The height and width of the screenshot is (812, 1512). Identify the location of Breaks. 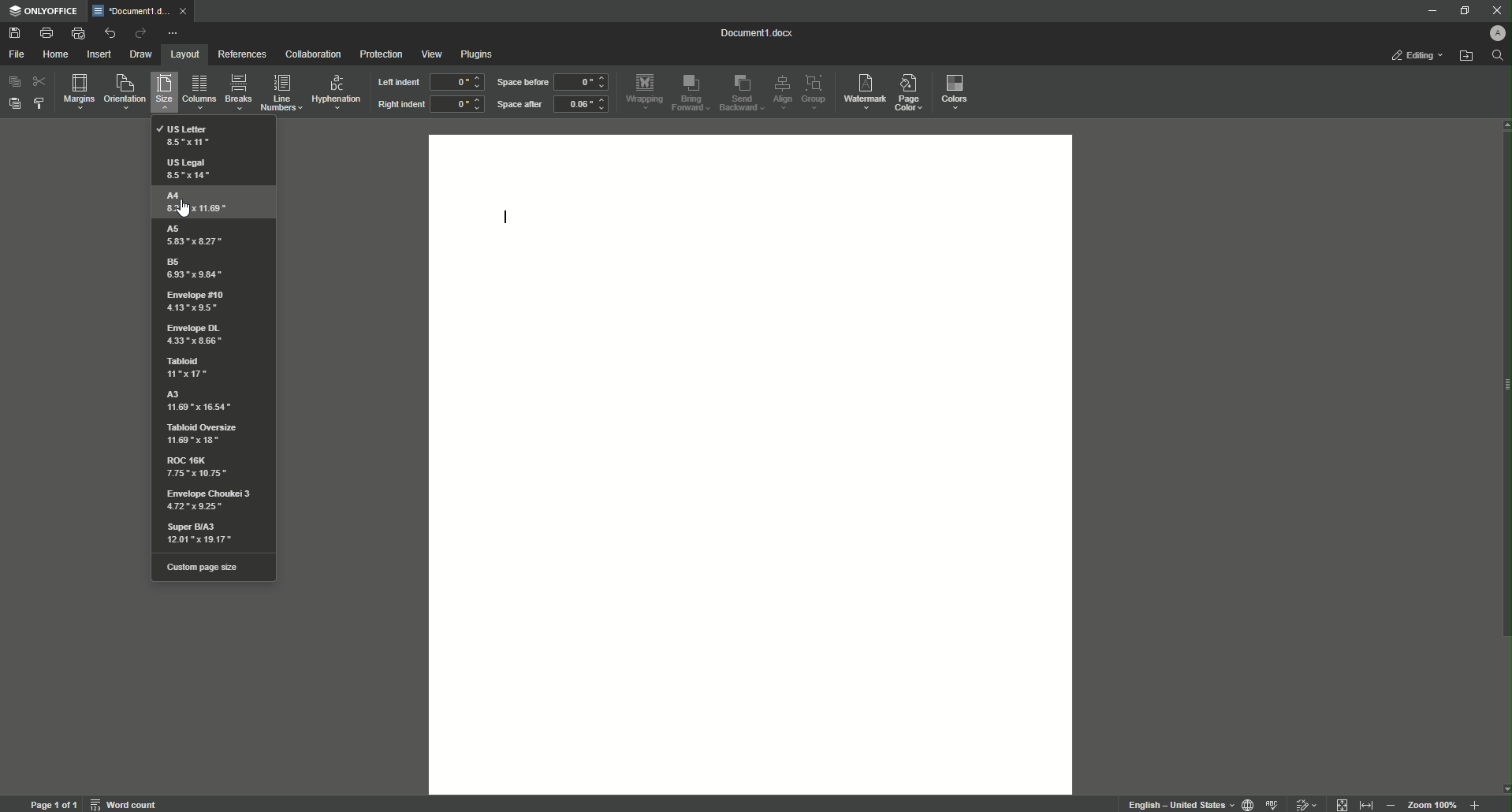
(239, 93).